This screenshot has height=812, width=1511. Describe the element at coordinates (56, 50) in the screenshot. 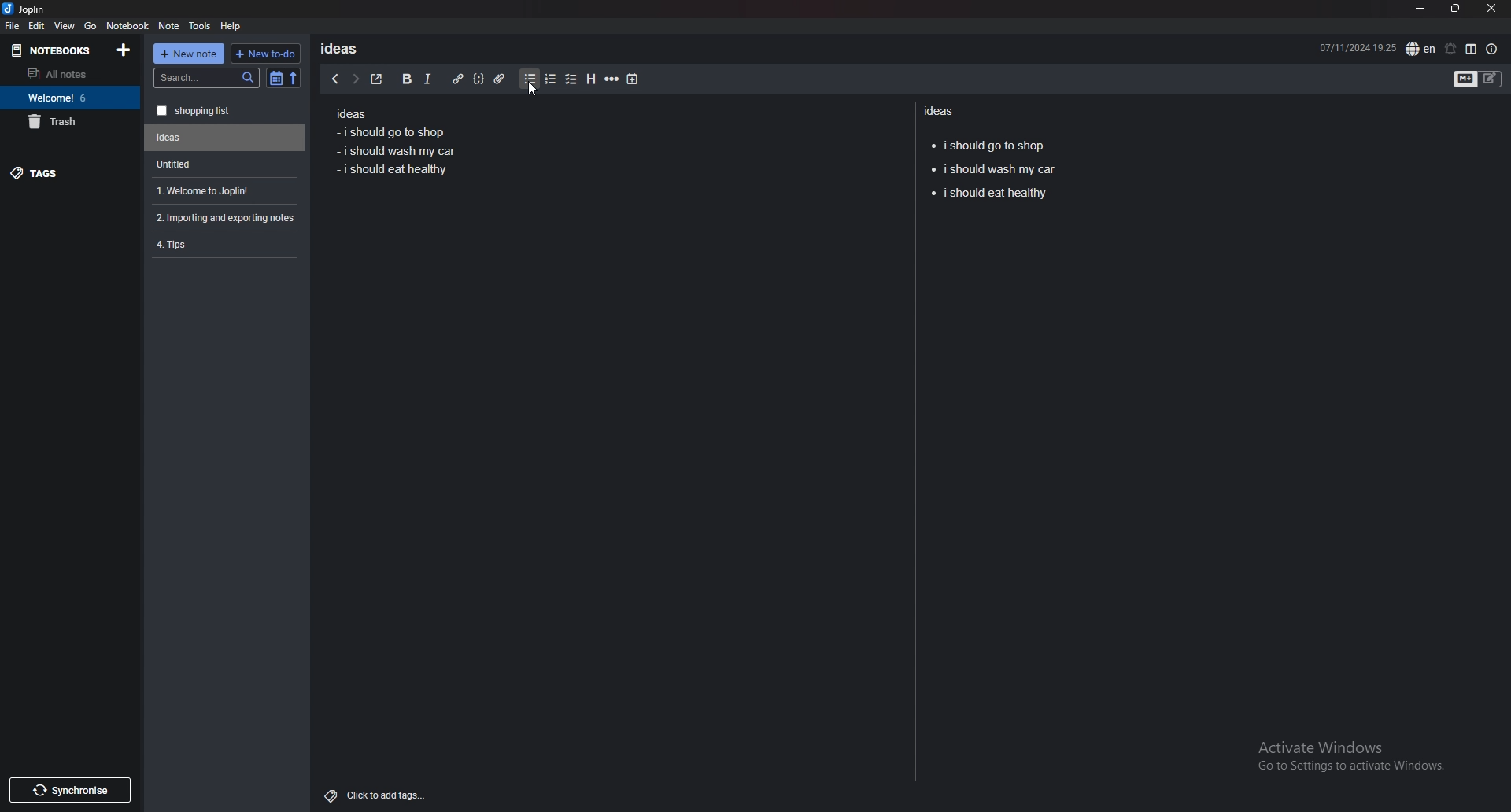

I see `notebooks` at that location.